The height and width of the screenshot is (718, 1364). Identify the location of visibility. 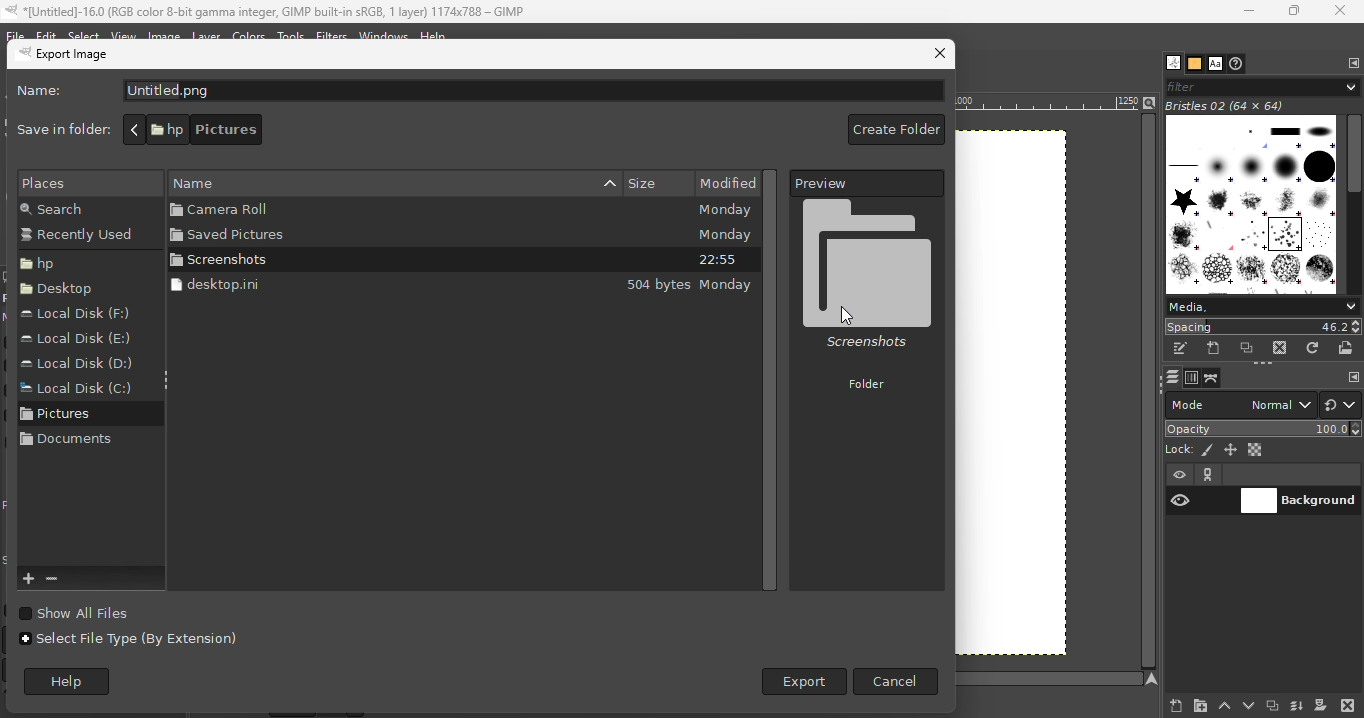
(1180, 501).